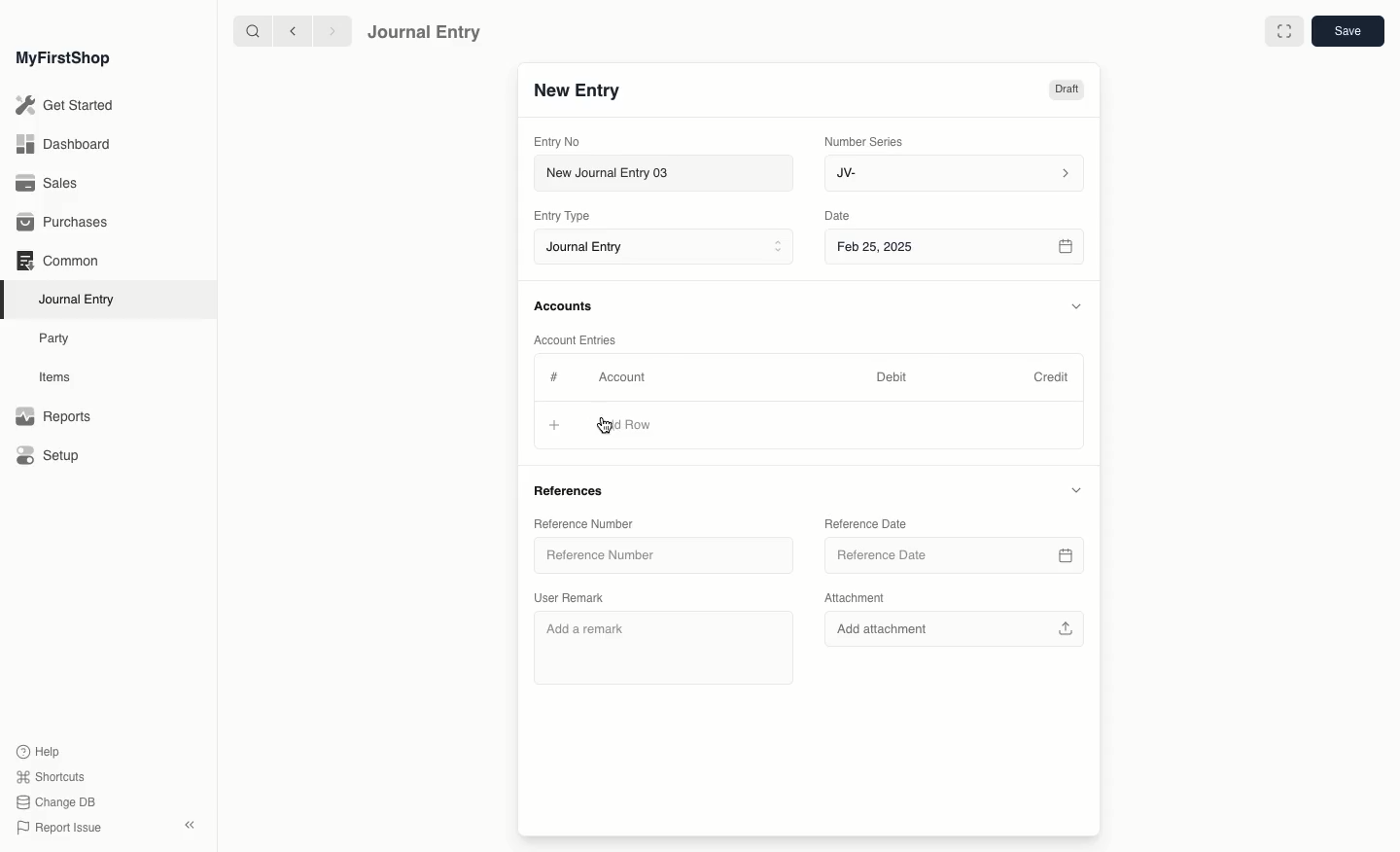  What do you see at coordinates (623, 424) in the screenshot?
I see `Add Row` at bounding box center [623, 424].